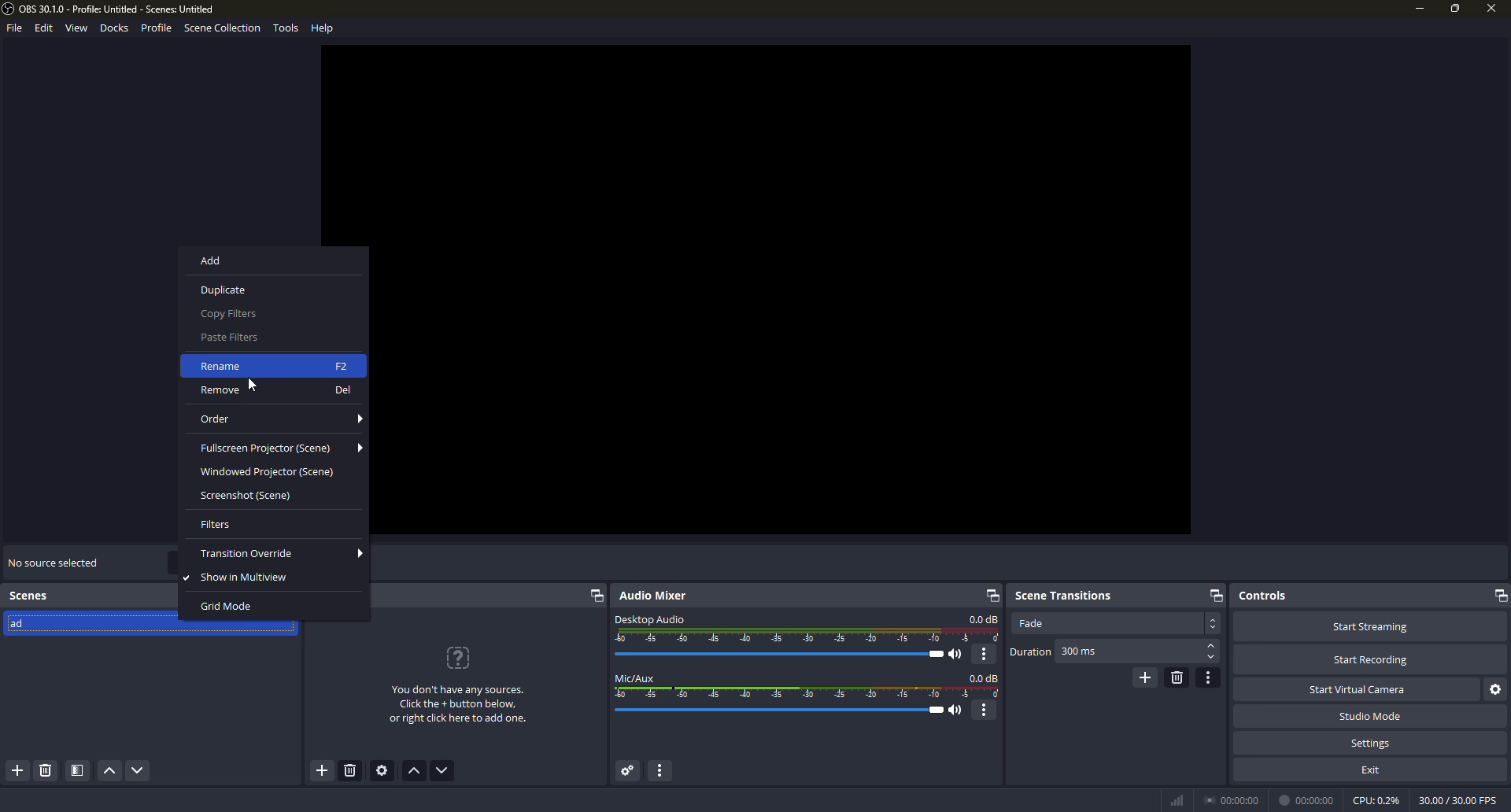  I want to click on remove selected scene, so click(45, 771).